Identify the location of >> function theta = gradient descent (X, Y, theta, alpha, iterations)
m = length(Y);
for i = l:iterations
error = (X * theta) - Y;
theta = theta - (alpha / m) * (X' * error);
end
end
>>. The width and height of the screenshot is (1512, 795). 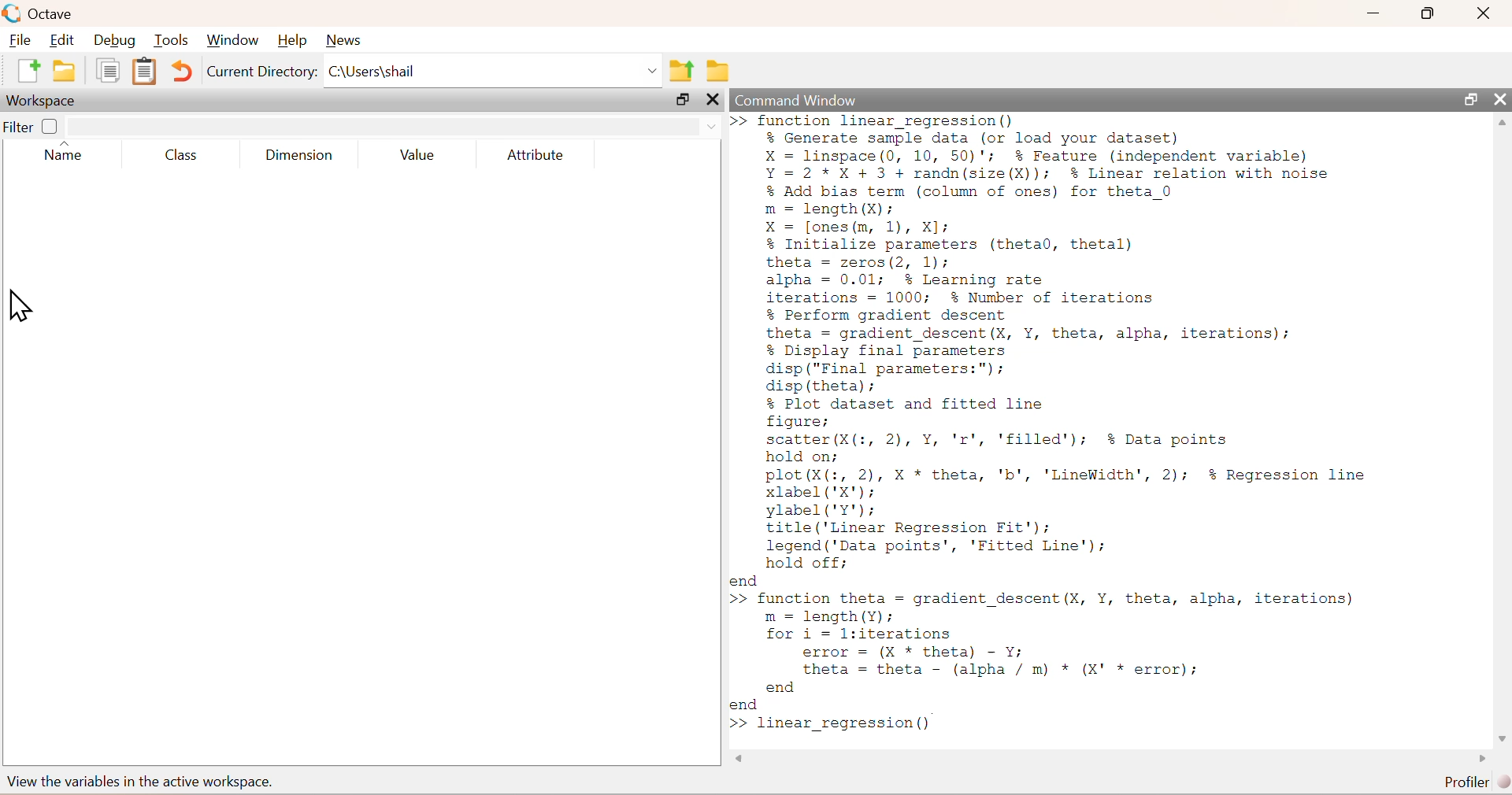
(1051, 660).